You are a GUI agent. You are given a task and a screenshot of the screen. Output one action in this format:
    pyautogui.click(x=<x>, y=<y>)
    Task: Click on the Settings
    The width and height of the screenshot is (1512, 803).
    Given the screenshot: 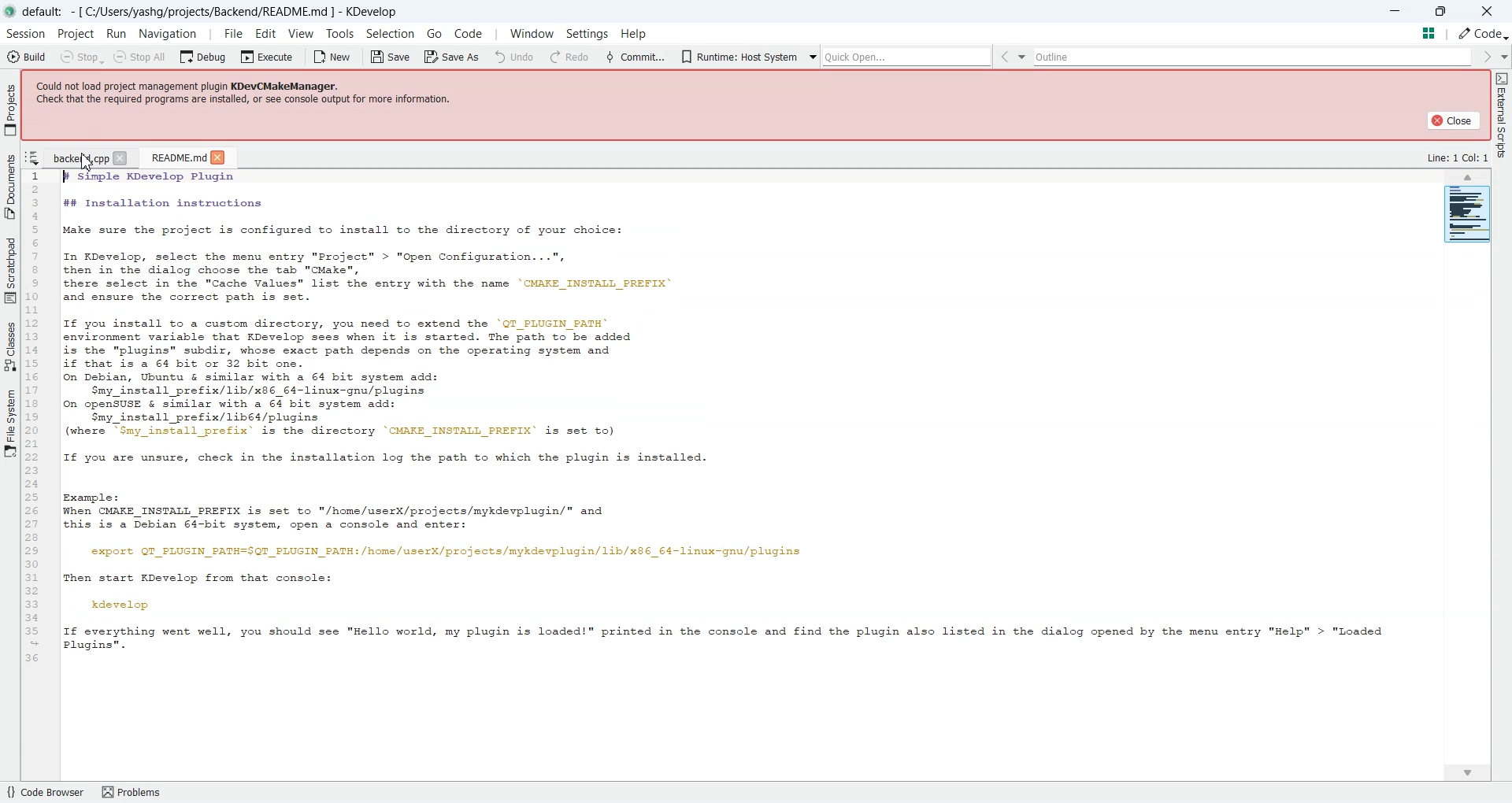 What is the action you would take?
    pyautogui.click(x=585, y=32)
    